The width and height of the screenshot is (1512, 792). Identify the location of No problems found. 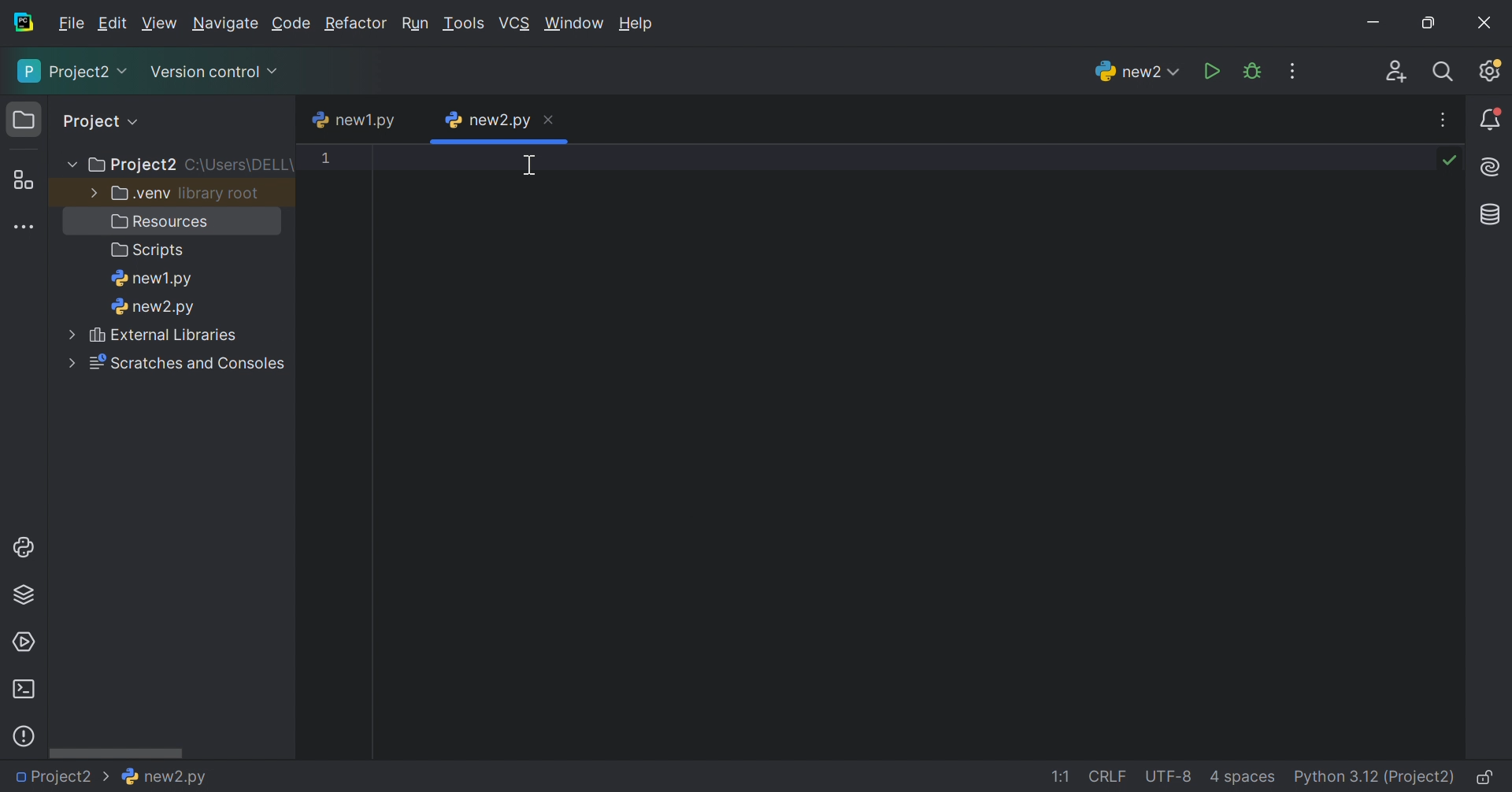
(1449, 160).